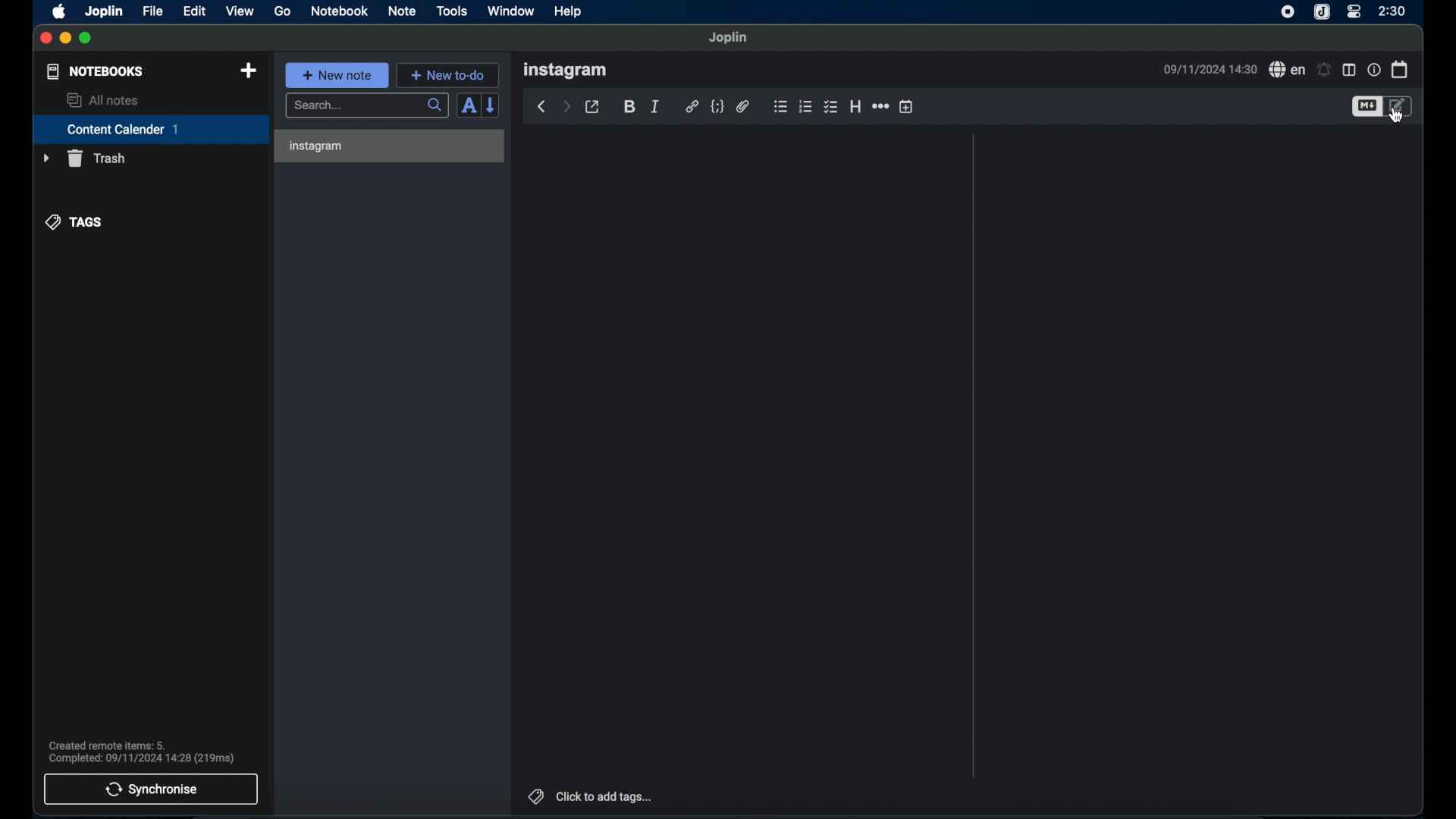 This screenshot has height=819, width=1456. Describe the element at coordinates (906, 106) in the screenshot. I see `insert time` at that location.